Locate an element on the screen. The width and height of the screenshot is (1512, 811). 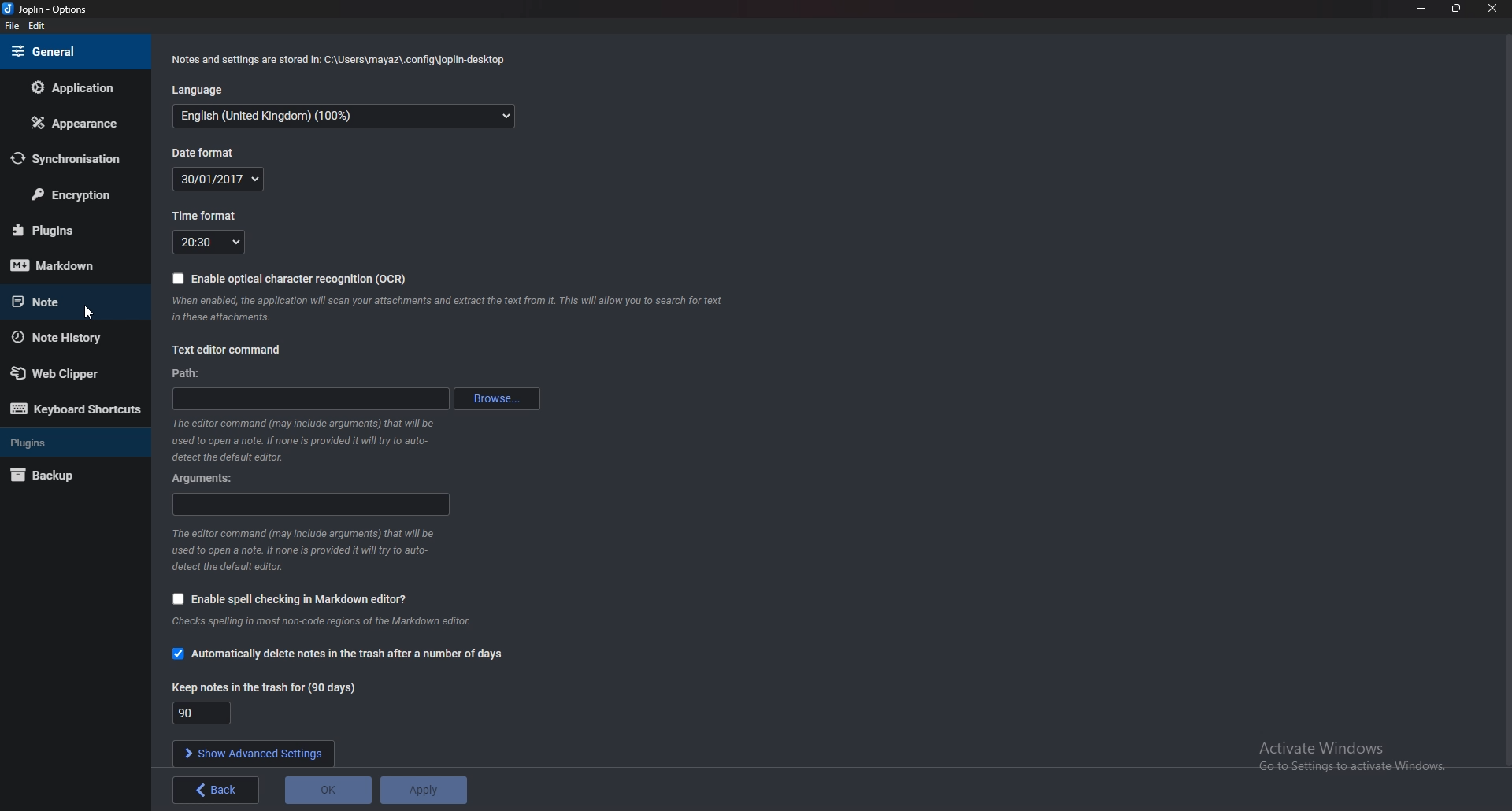
Synchronization is located at coordinates (73, 158).